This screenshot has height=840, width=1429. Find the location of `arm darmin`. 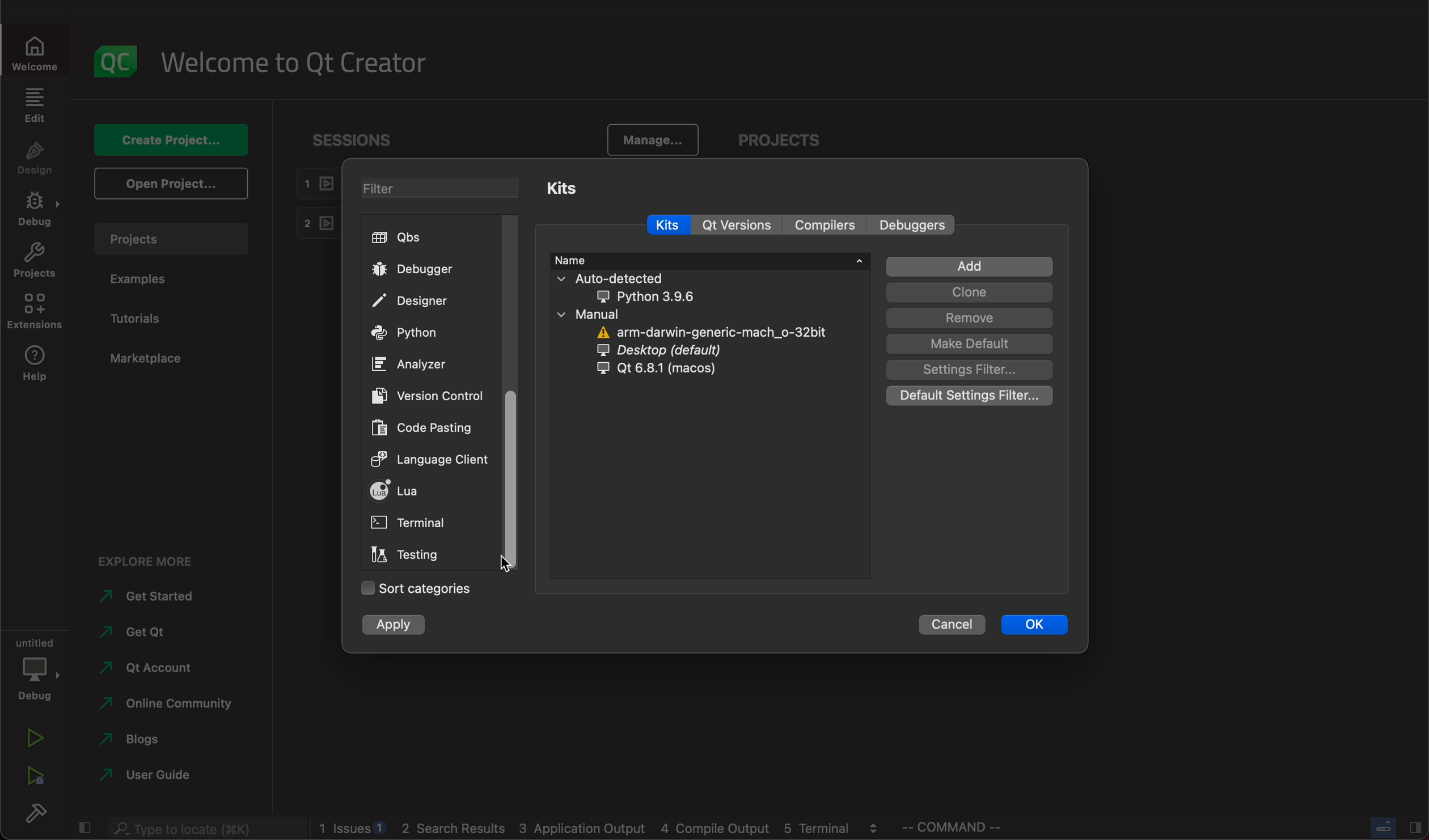

arm darmin is located at coordinates (708, 332).